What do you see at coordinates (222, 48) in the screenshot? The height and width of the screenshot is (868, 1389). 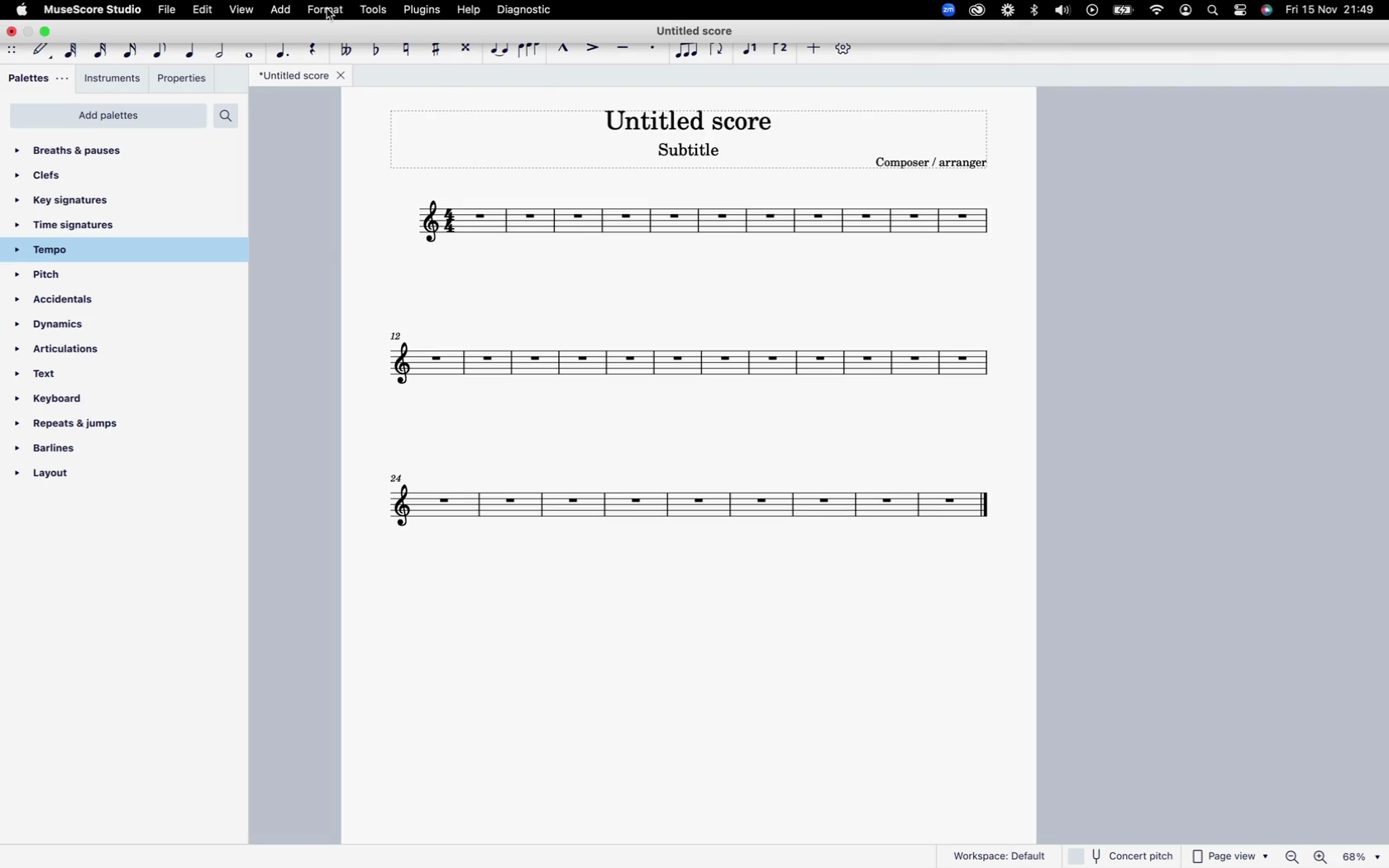 I see `half note` at bounding box center [222, 48].